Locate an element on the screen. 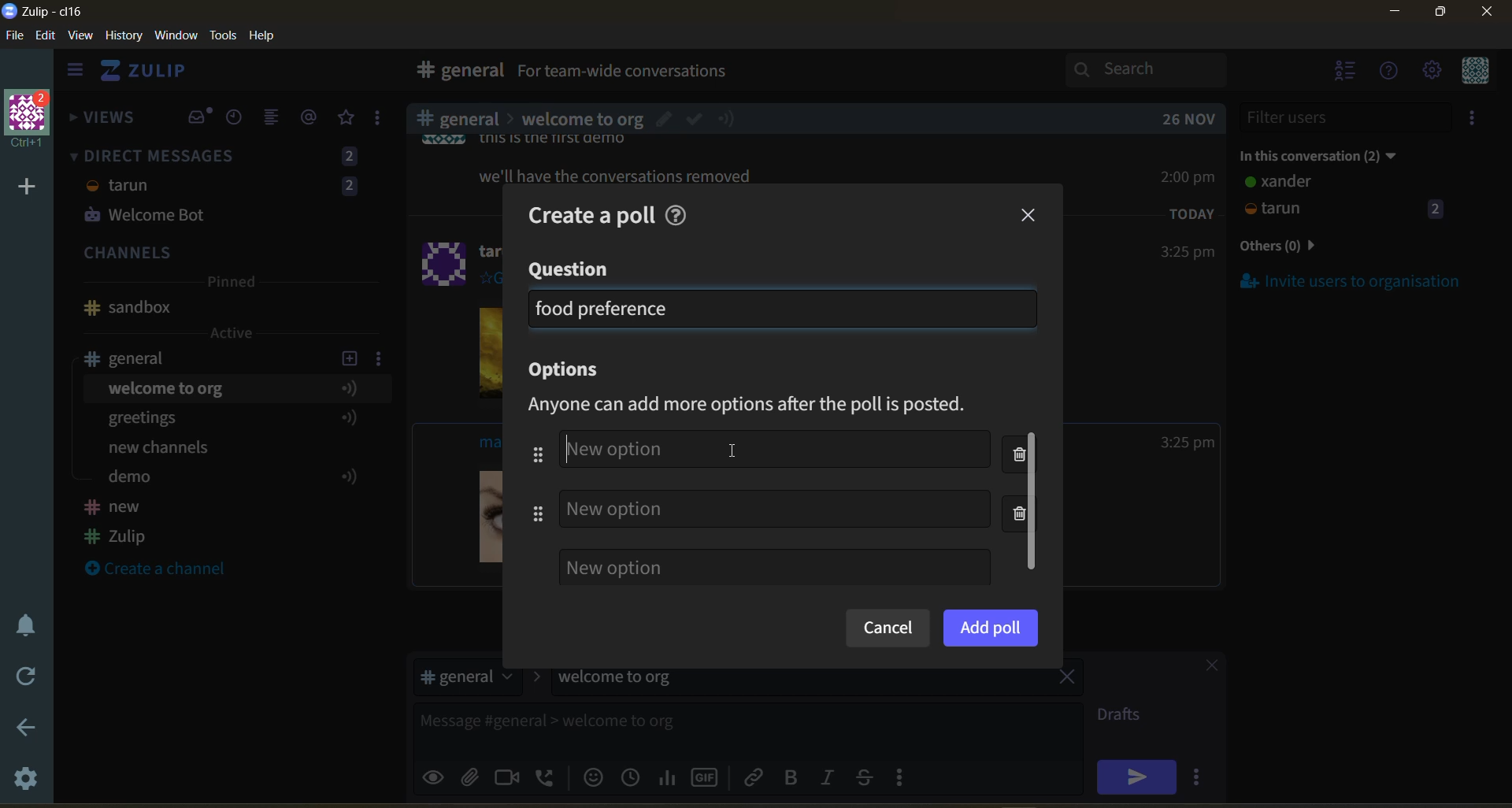 The image size is (1512, 808). new option is located at coordinates (775, 508).